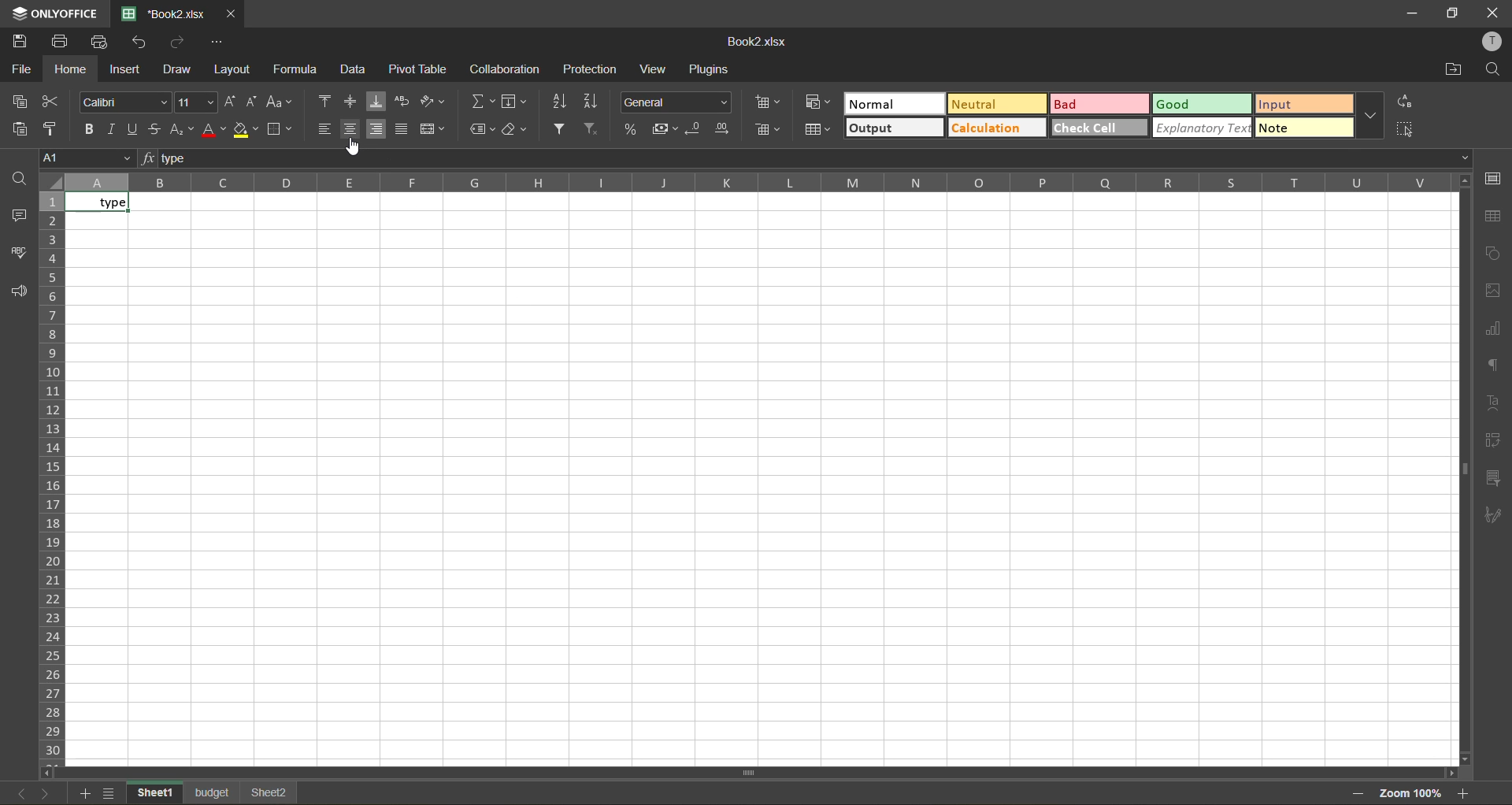 The image size is (1512, 805). Describe the element at coordinates (725, 131) in the screenshot. I see `increase decimal` at that location.